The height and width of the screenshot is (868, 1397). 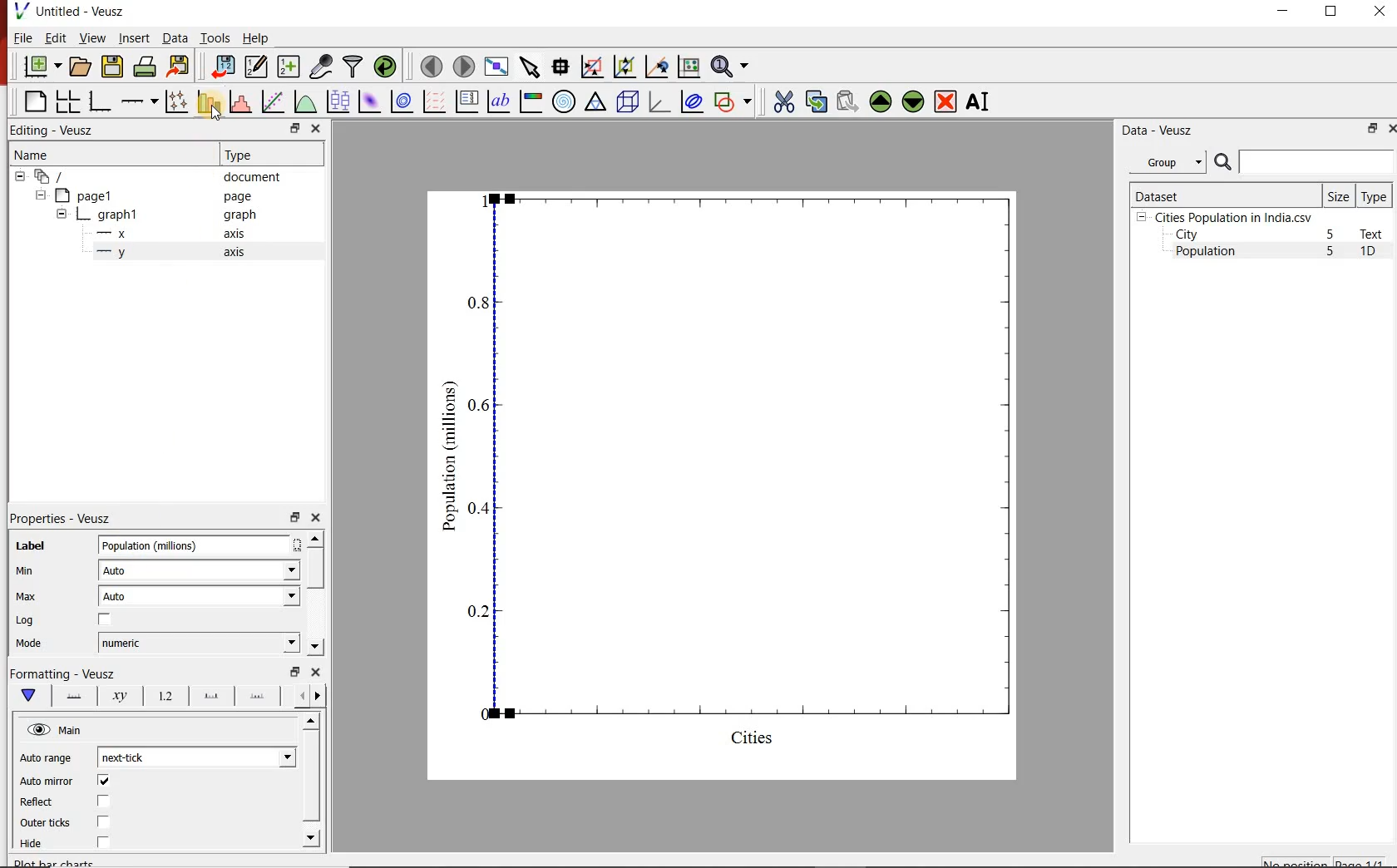 What do you see at coordinates (1167, 161) in the screenshot?
I see `Group datasets with property given` at bounding box center [1167, 161].